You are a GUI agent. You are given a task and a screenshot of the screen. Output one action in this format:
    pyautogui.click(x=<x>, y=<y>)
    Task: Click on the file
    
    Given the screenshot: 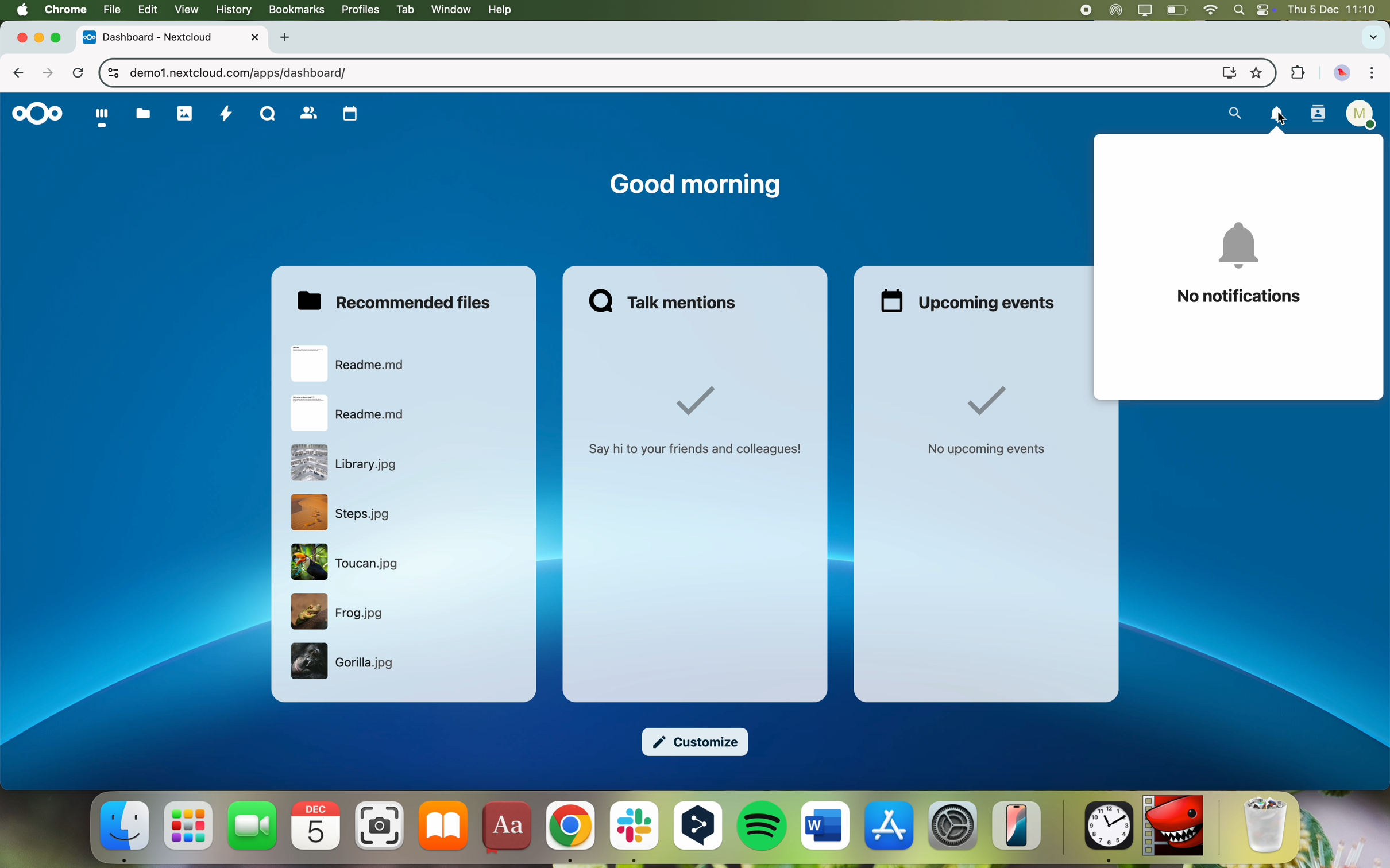 What is the action you would take?
    pyautogui.click(x=352, y=363)
    